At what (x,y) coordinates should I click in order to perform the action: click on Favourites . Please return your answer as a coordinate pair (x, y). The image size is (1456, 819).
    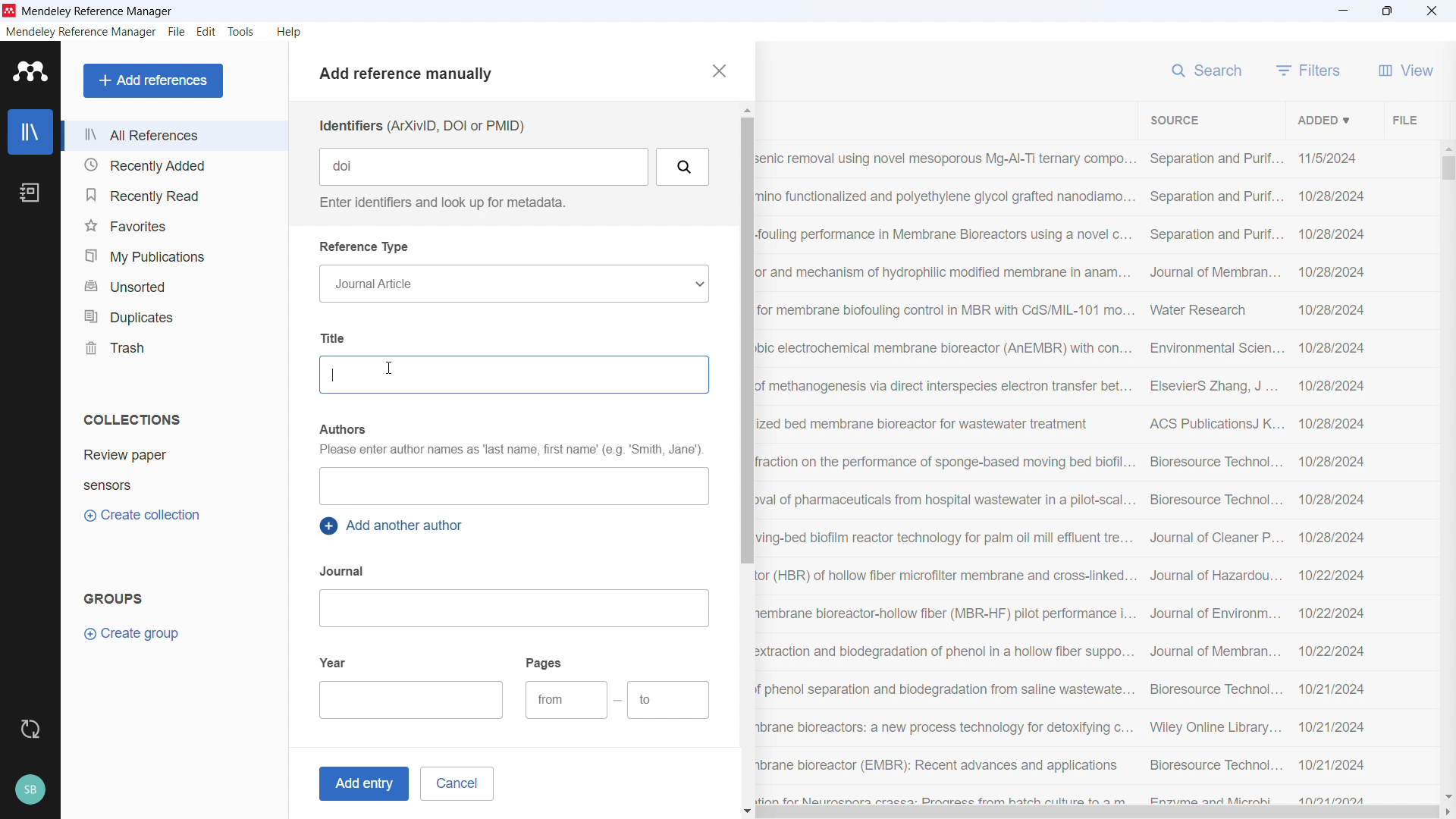
    Looking at the image, I should click on (173, 225).